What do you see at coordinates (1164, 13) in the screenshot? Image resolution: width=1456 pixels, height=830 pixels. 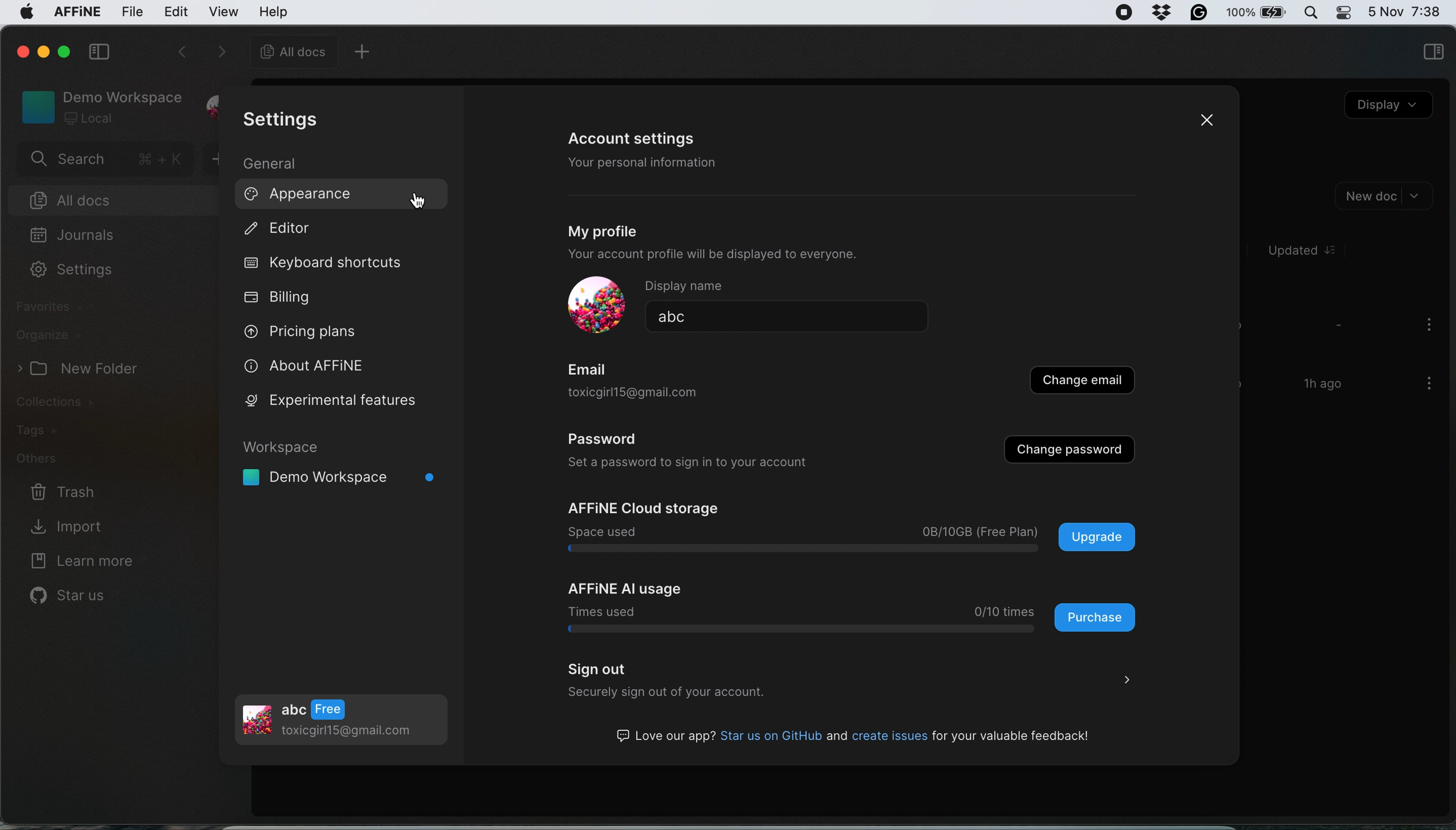 I see `dropbox` at bounding box center [1164, 13].